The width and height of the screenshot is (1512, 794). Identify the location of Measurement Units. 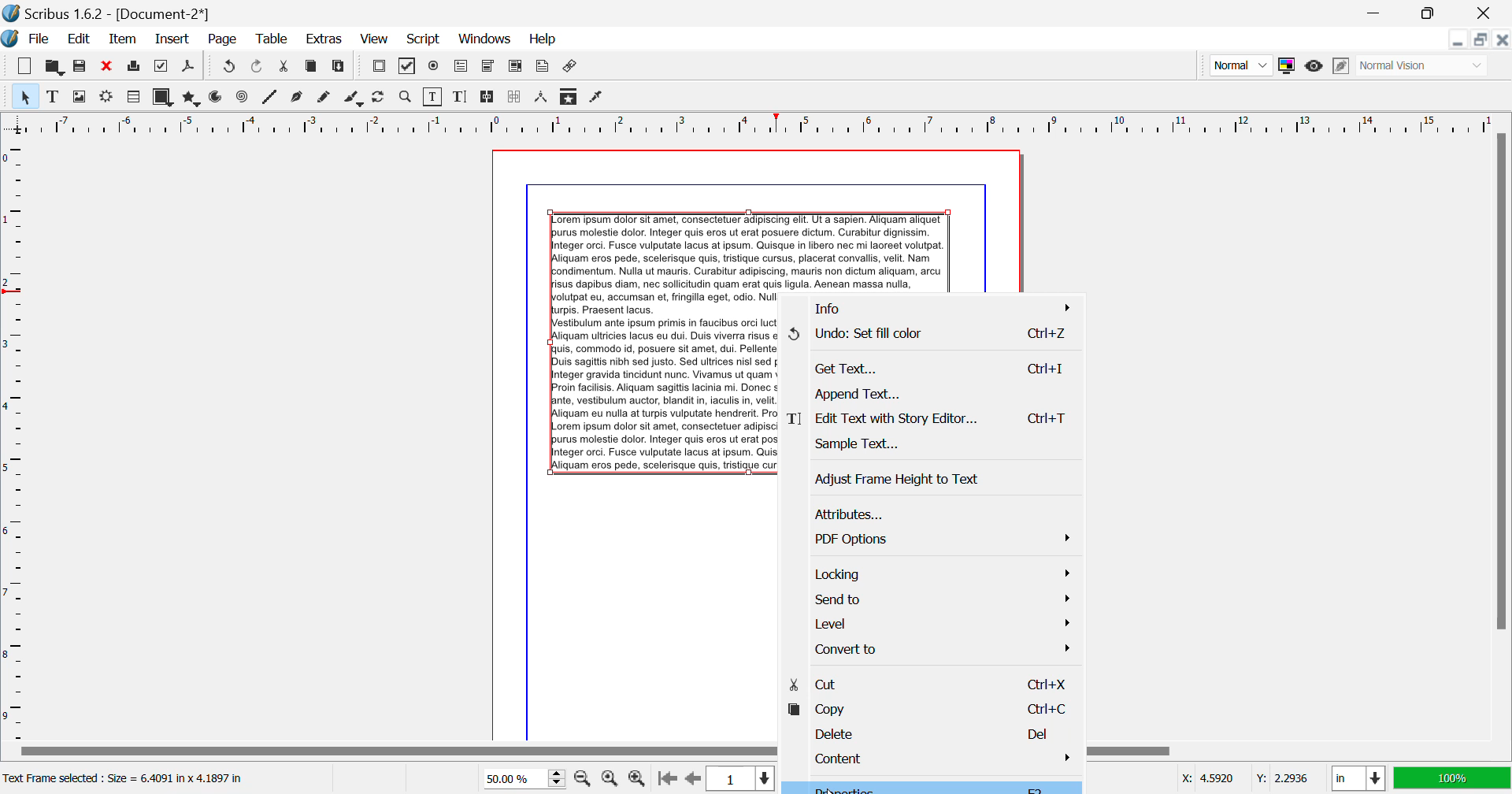
(1359, 780).